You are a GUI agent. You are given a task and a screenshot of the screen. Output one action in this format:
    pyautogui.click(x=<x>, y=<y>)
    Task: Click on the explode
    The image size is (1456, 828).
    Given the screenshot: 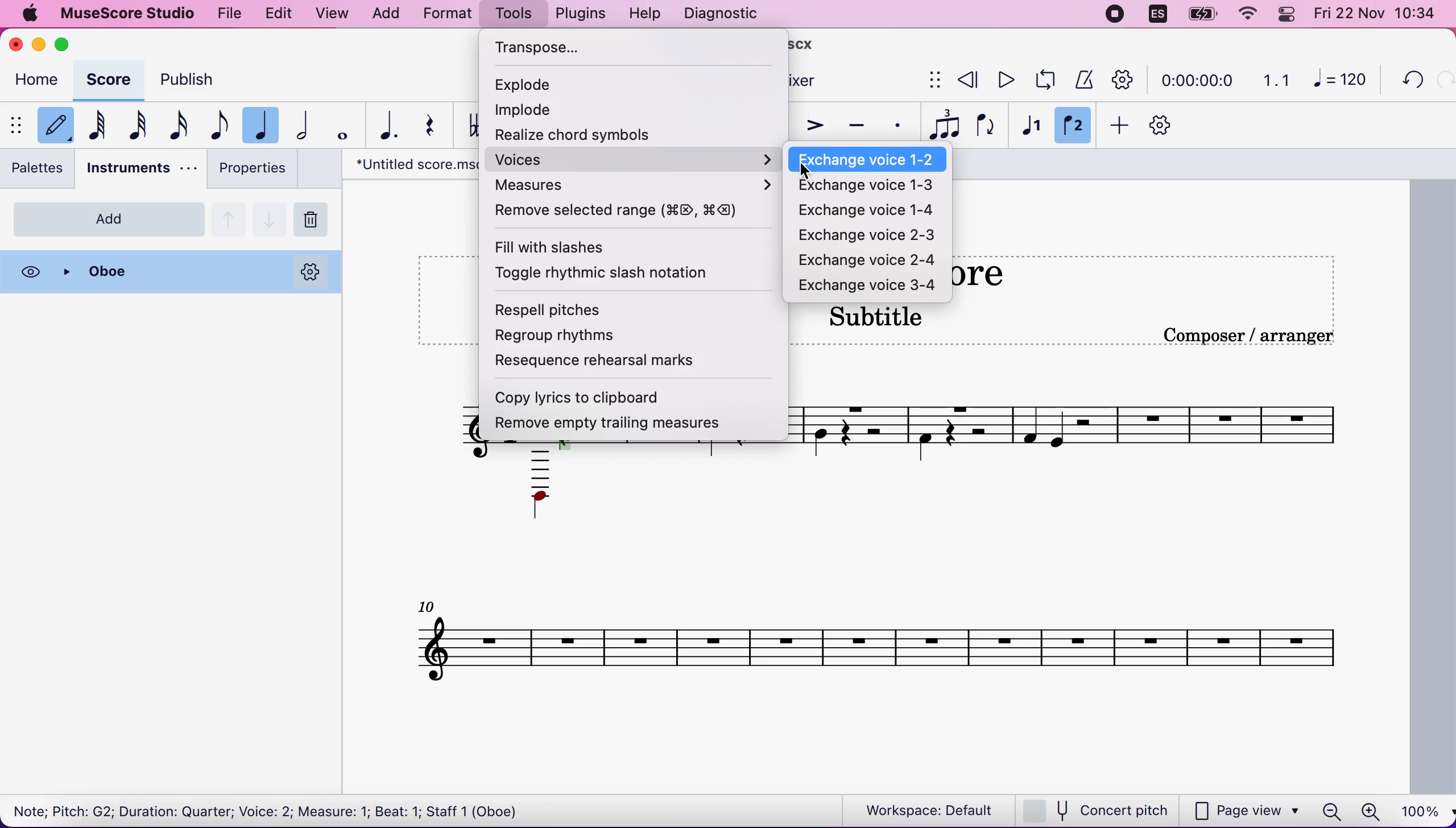 What is the action you would take?
    pyautogui.click(x=552, y=84)
    